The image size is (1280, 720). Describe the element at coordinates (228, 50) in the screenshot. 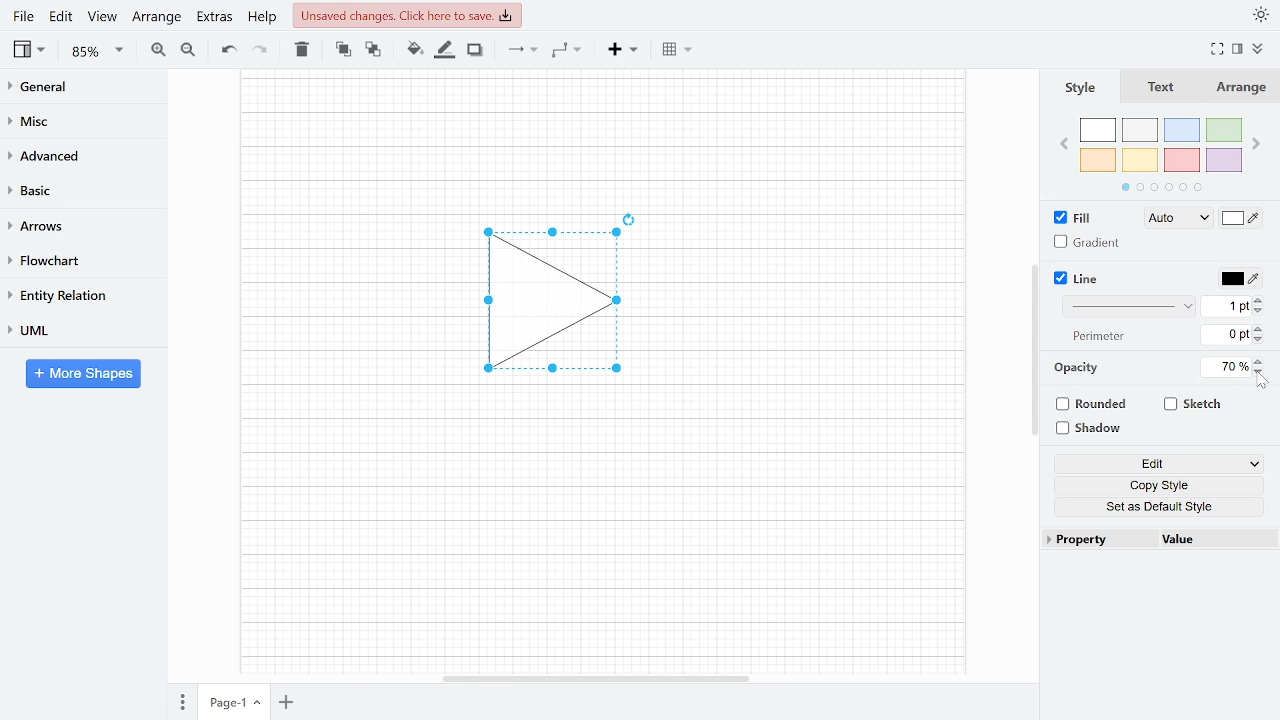

I see `Undo` at that location.